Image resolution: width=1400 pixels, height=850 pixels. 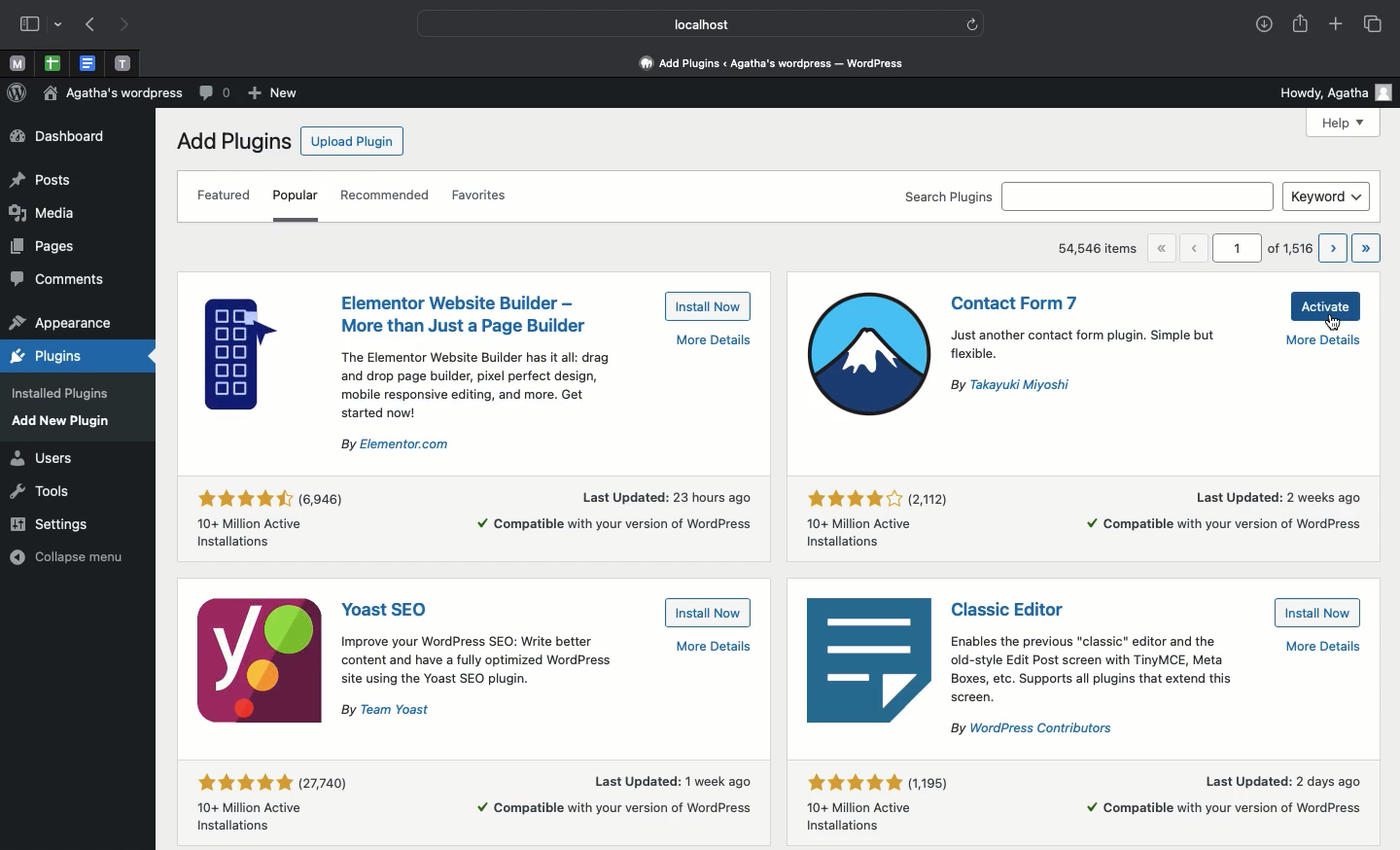 I want to click on Share, so click(x=1302, y=25).